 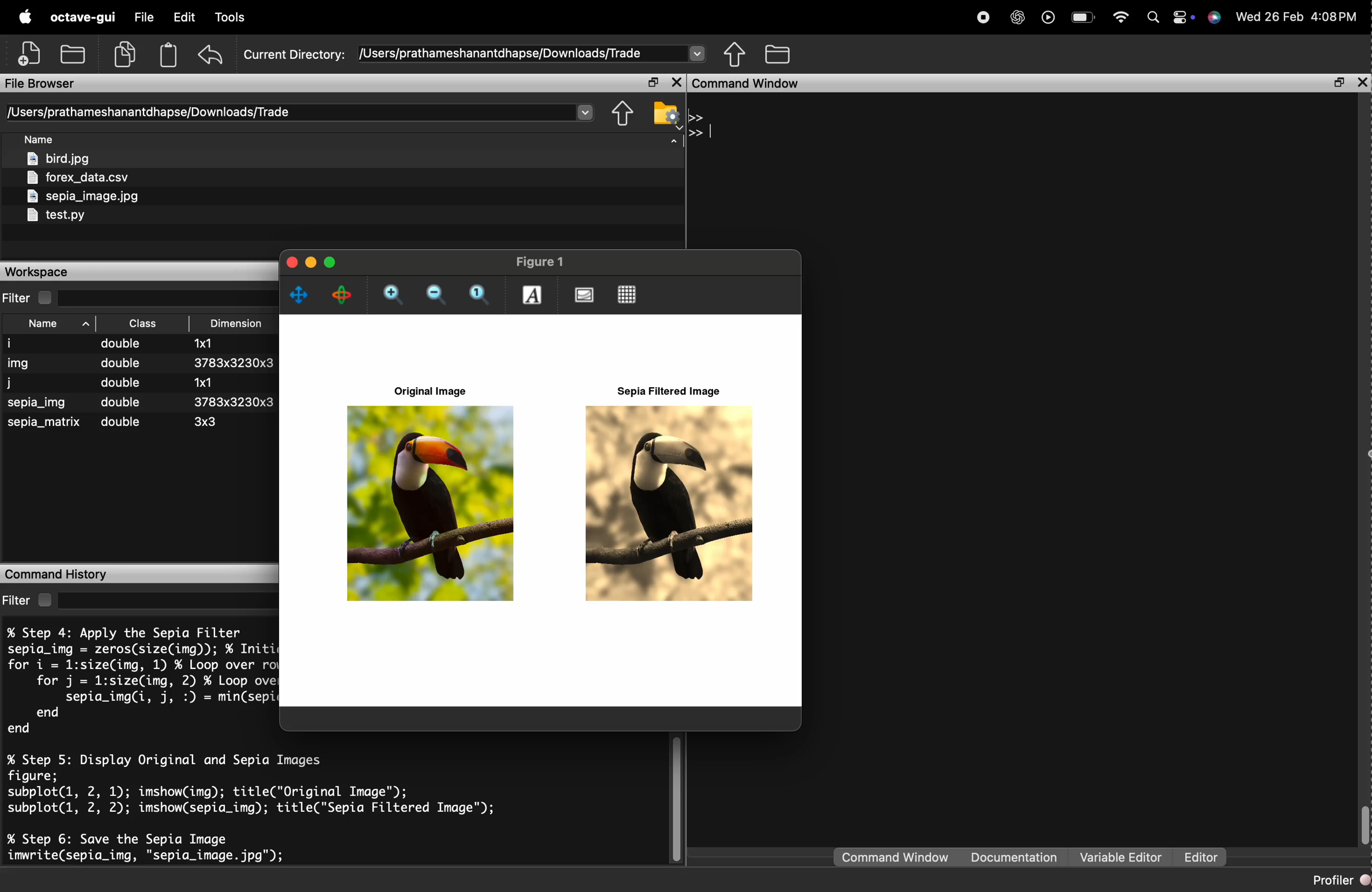 What do you see at coordinates (479, 296) in the screenshot?
I see `Automatic limits for current axes` at bounding box center [479, 296].